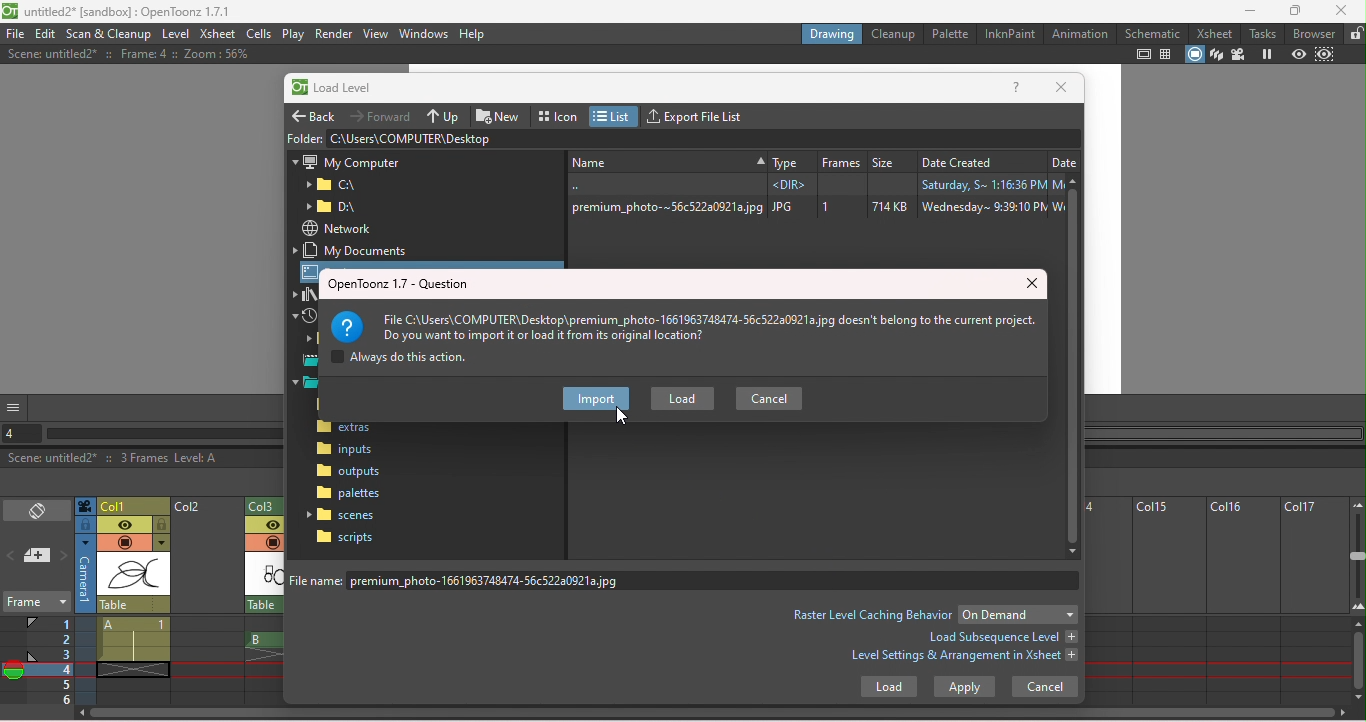 This screenshot has height=722, width=1366. I want to click on Frame, so click(841, 159).